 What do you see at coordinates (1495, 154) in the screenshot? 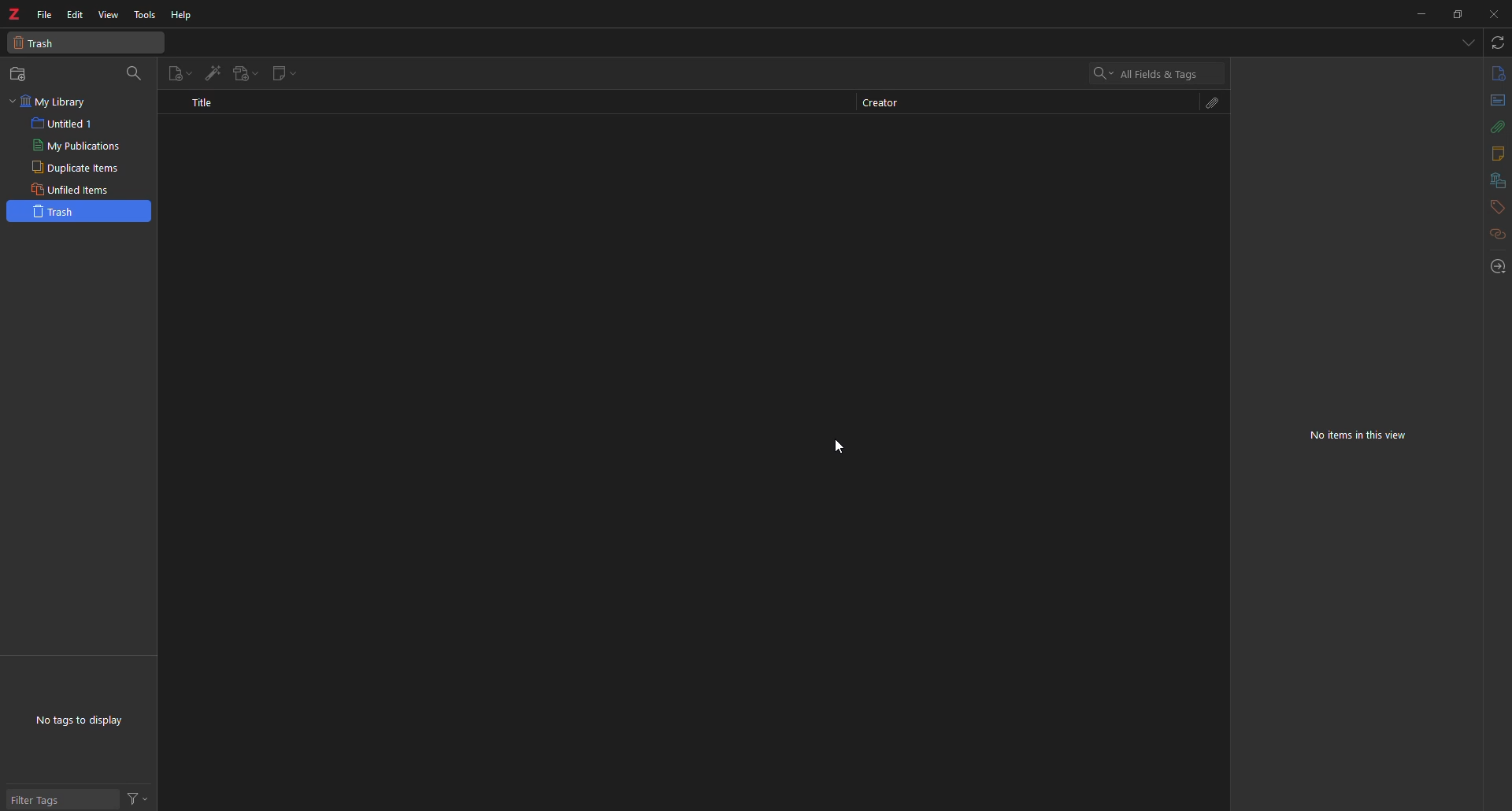
I see `notes` at bounding box center [1495, 154].